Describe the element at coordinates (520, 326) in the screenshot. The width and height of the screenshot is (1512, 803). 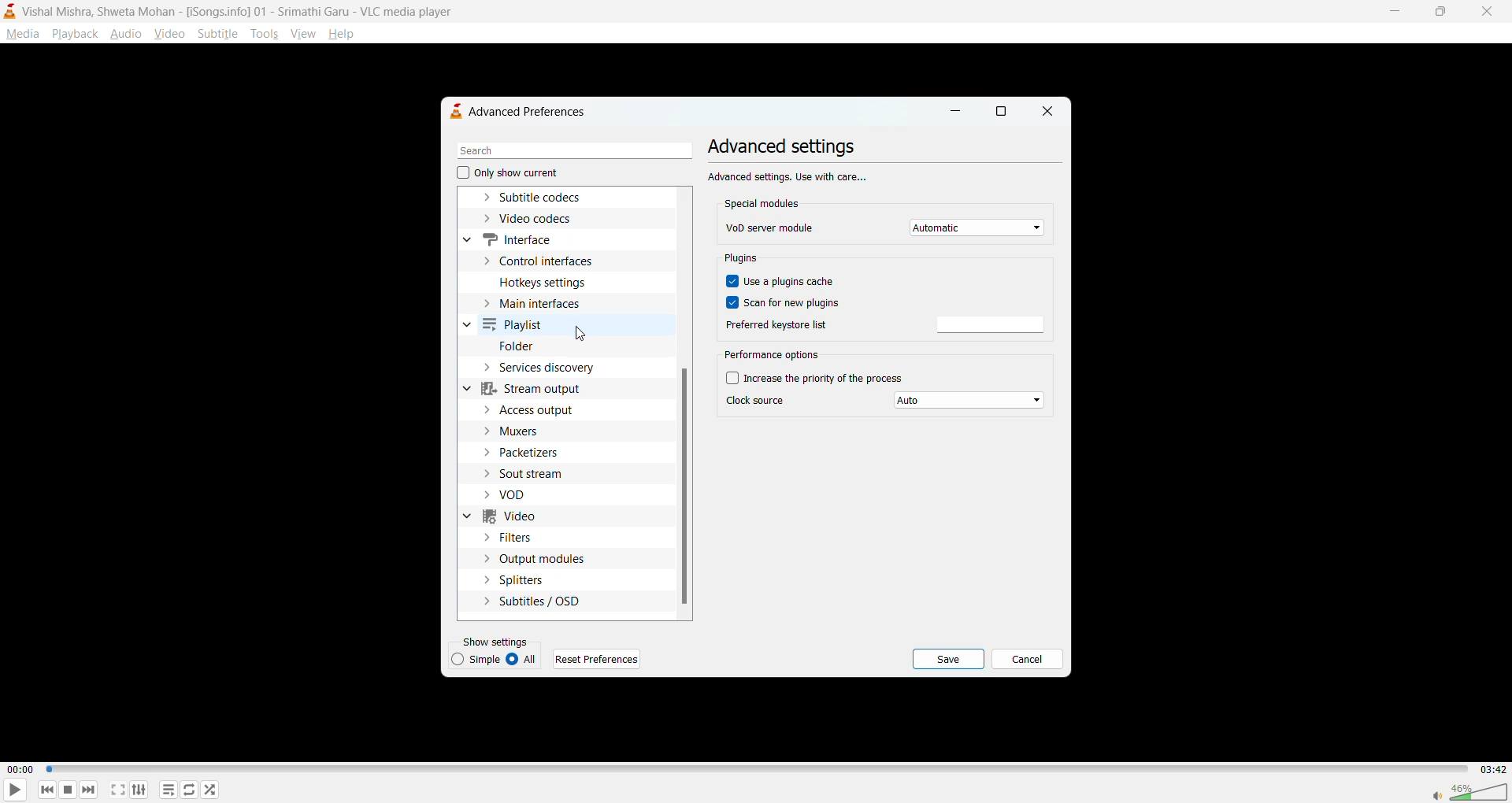
I see `playlist` at that location.